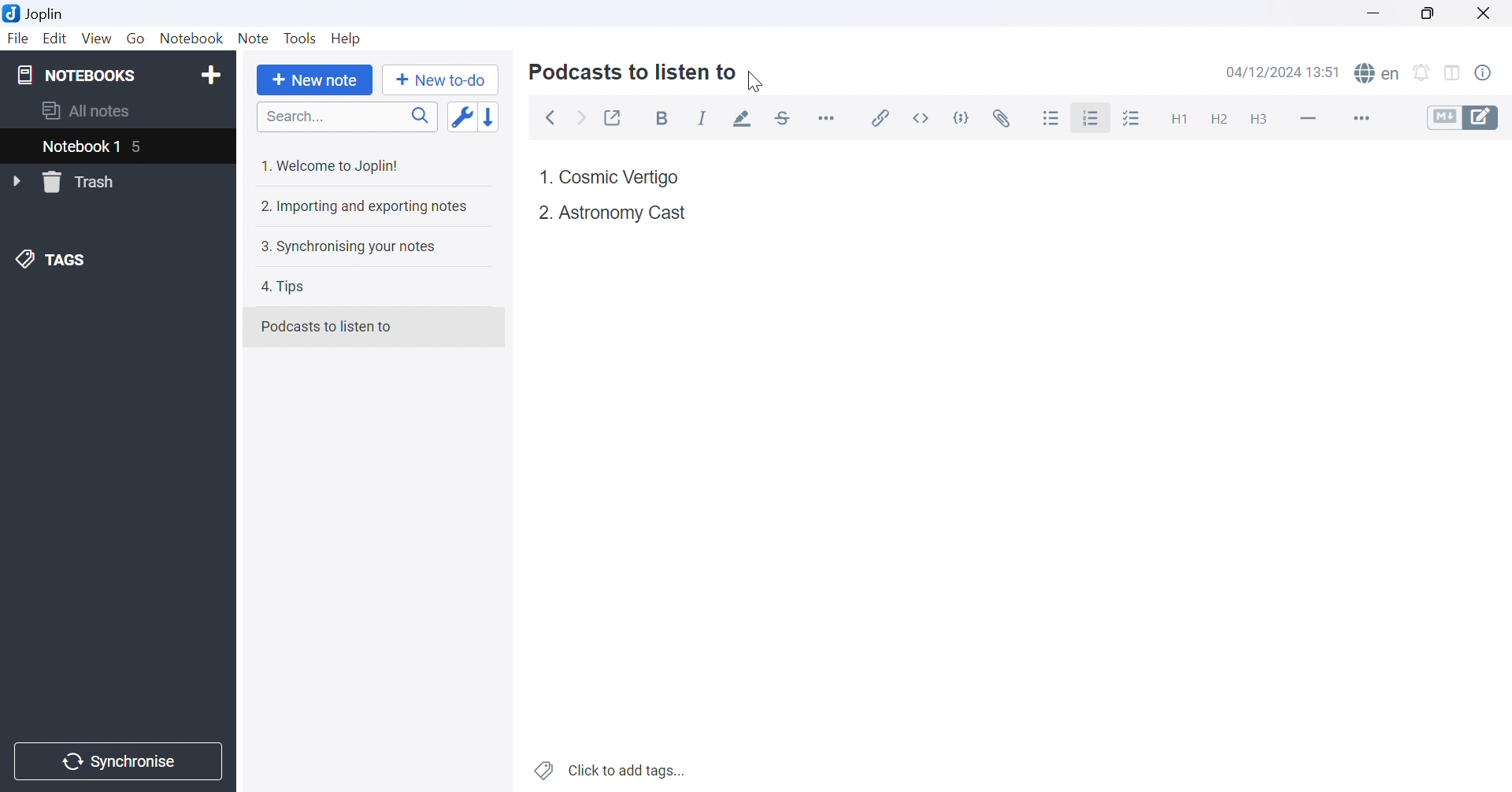  I want to click on Horizontal, so click(828, 117).